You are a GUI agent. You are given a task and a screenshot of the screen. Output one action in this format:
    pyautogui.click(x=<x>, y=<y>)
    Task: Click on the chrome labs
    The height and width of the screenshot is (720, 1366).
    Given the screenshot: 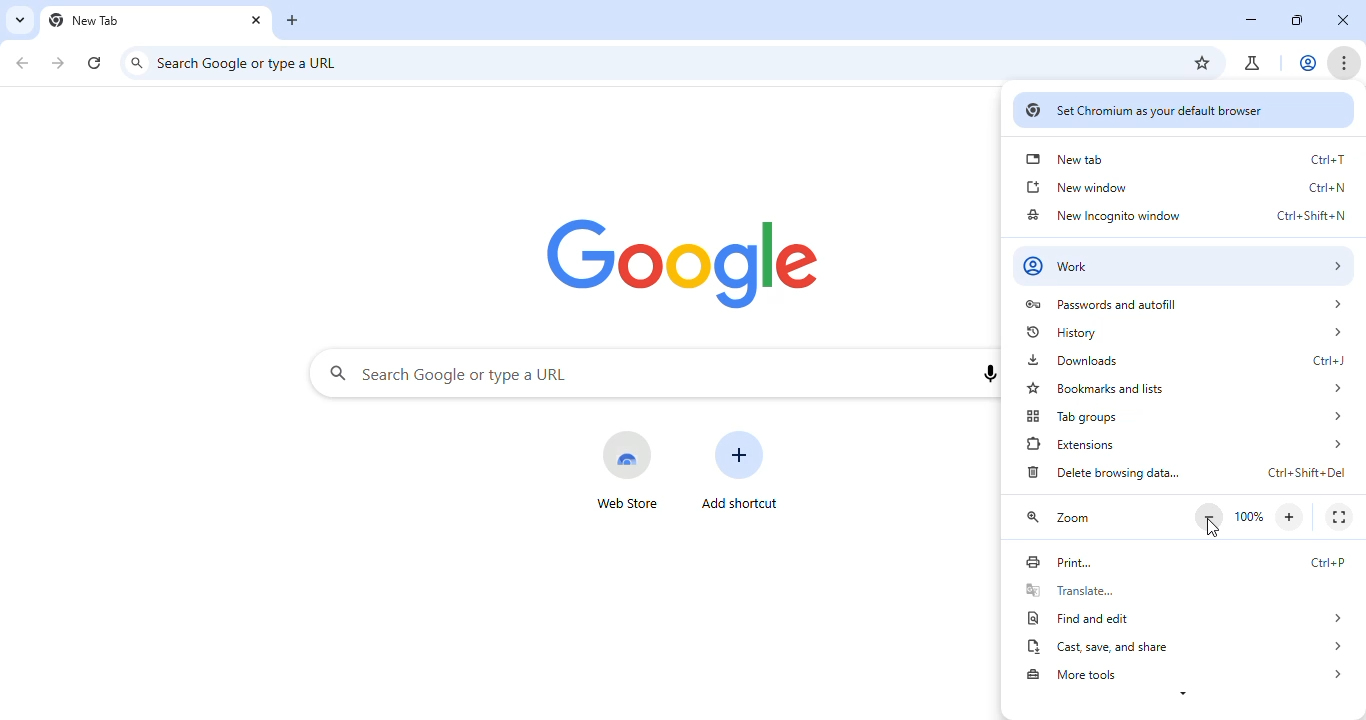 What is the action you would take?
    pyautogui.click(x=1254, y=63)
    